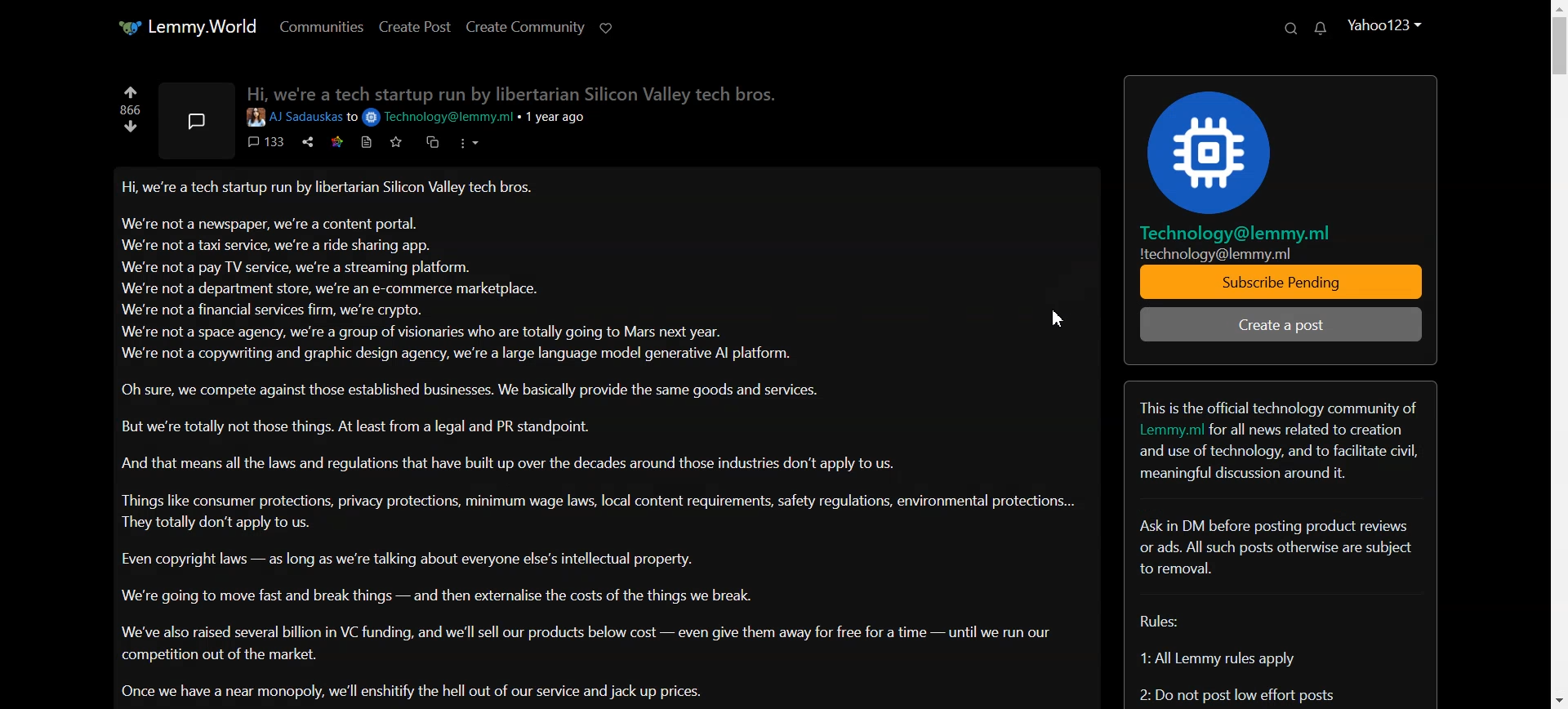 This screenshot has height=709, width=1568. I want to click on Rules:
1: All Lemmy rules apply, so click(1239, 680).